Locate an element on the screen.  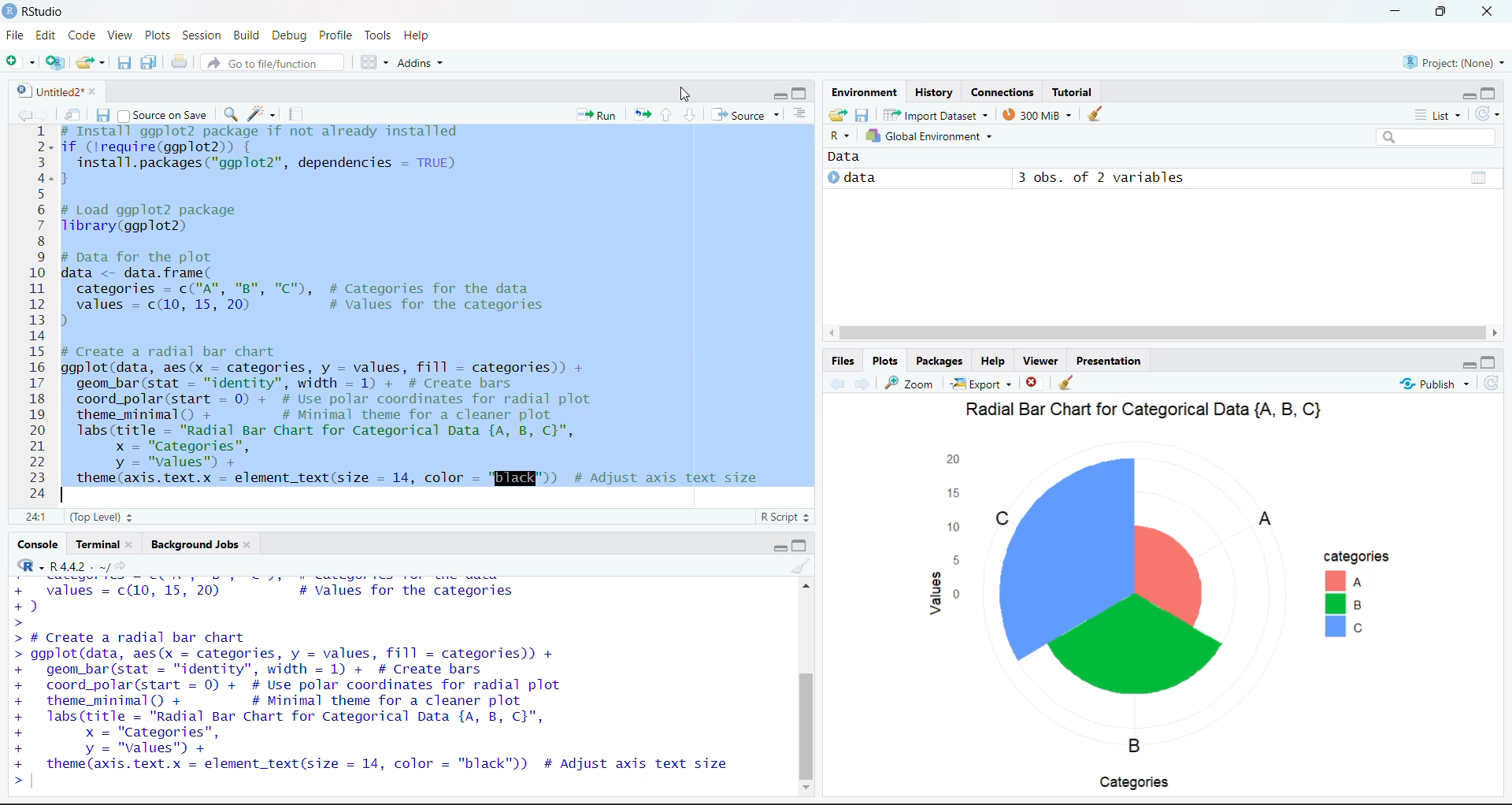
show in new window is located at coordinates (75, 113).